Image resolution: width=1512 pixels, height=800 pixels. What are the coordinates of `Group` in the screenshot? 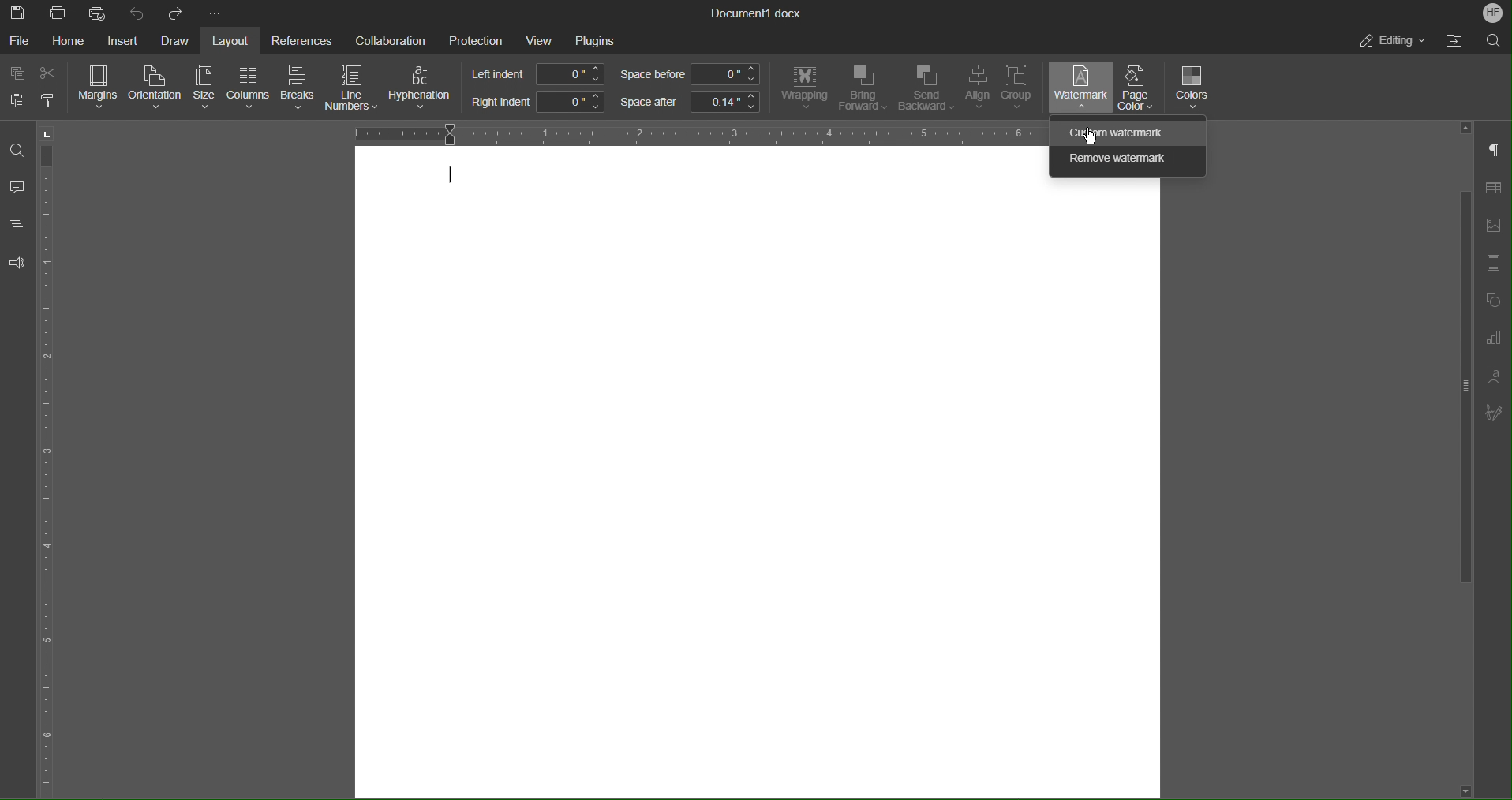 It's located at (1022, 90).